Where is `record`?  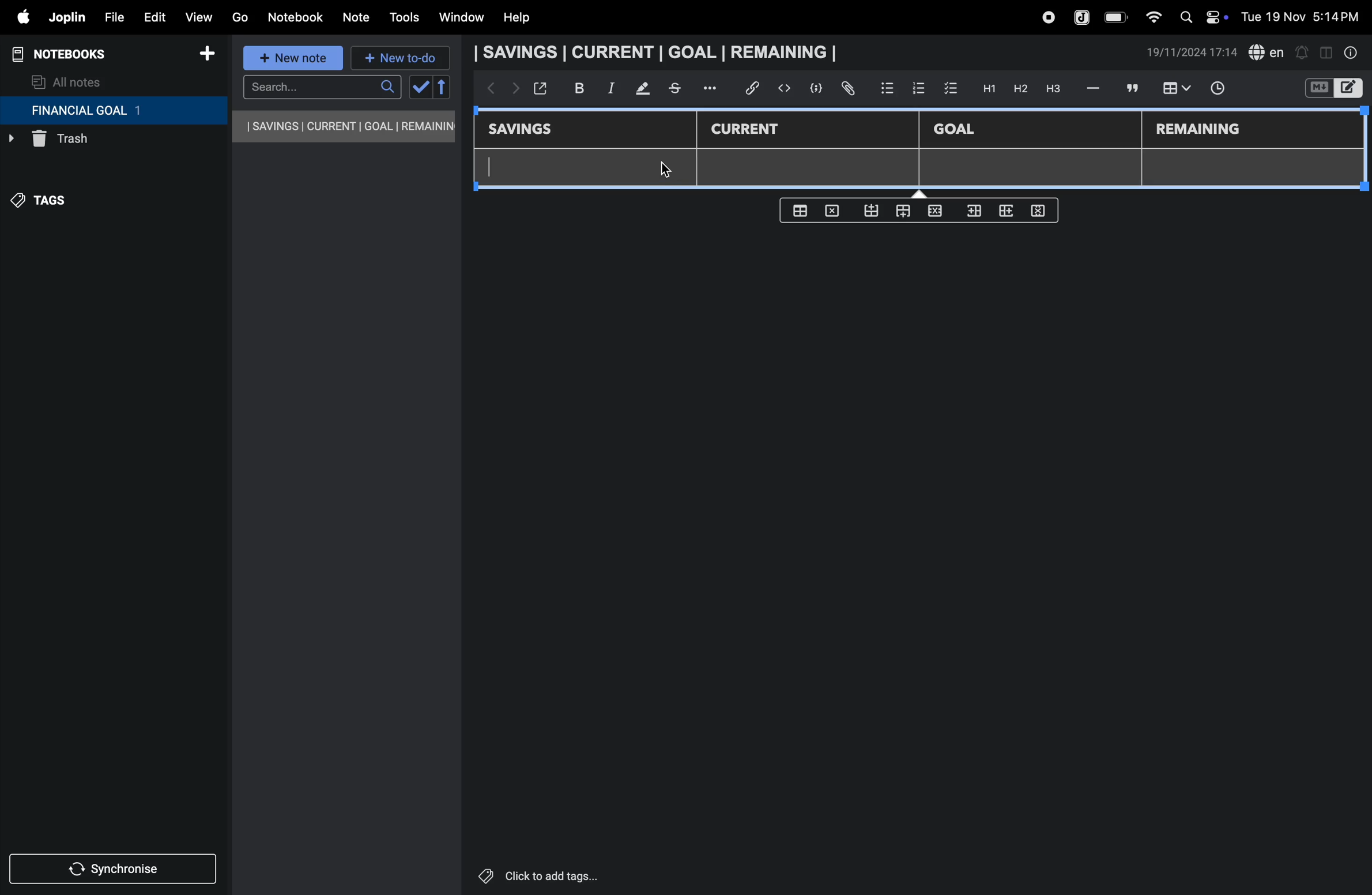
record is located at coordinates (1047, 17).